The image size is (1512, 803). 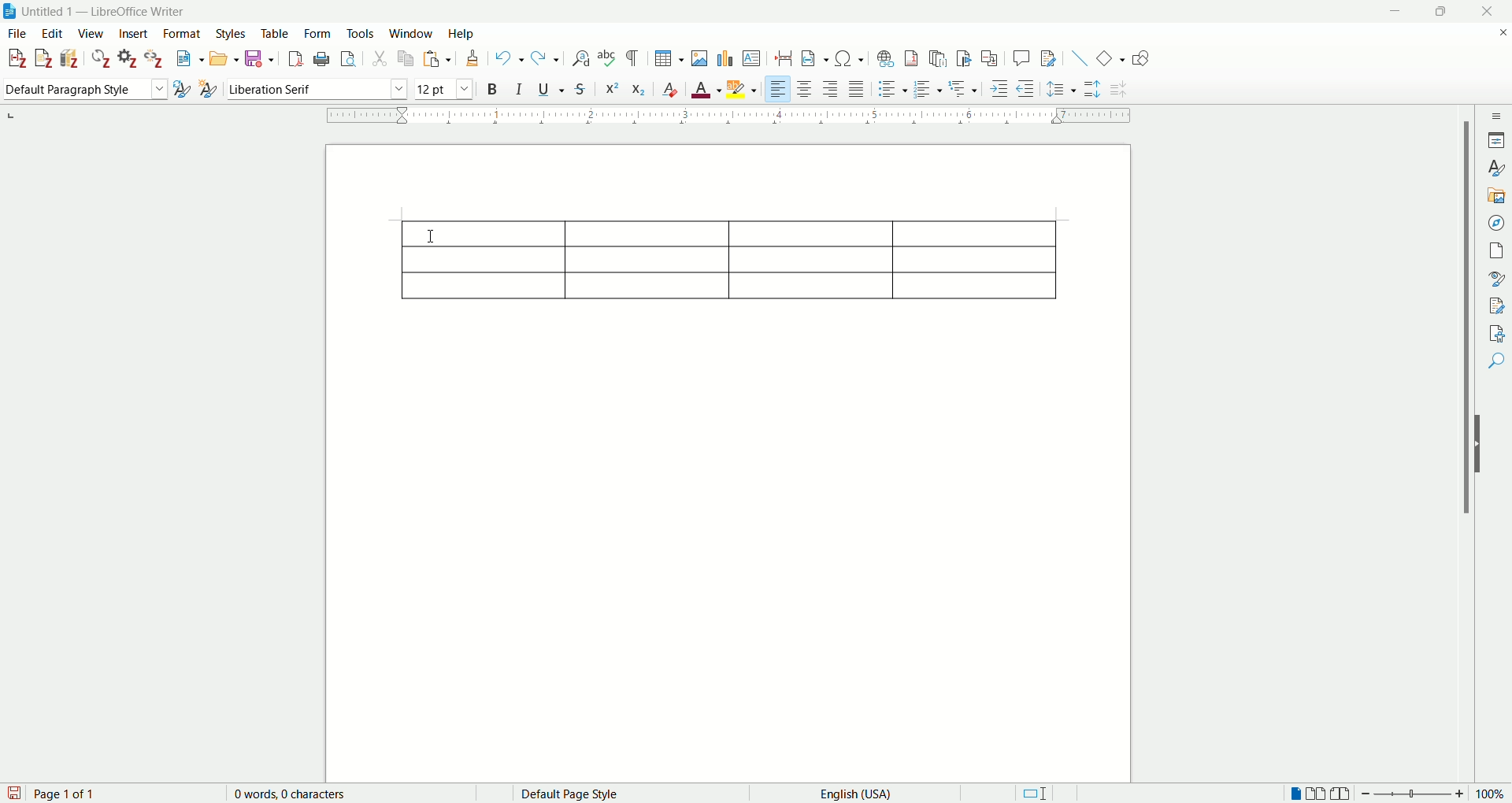 What do you see at coordinates (1495, 306) in the screenshot?
I see `manage changes` at bounding box center [1495, 306].